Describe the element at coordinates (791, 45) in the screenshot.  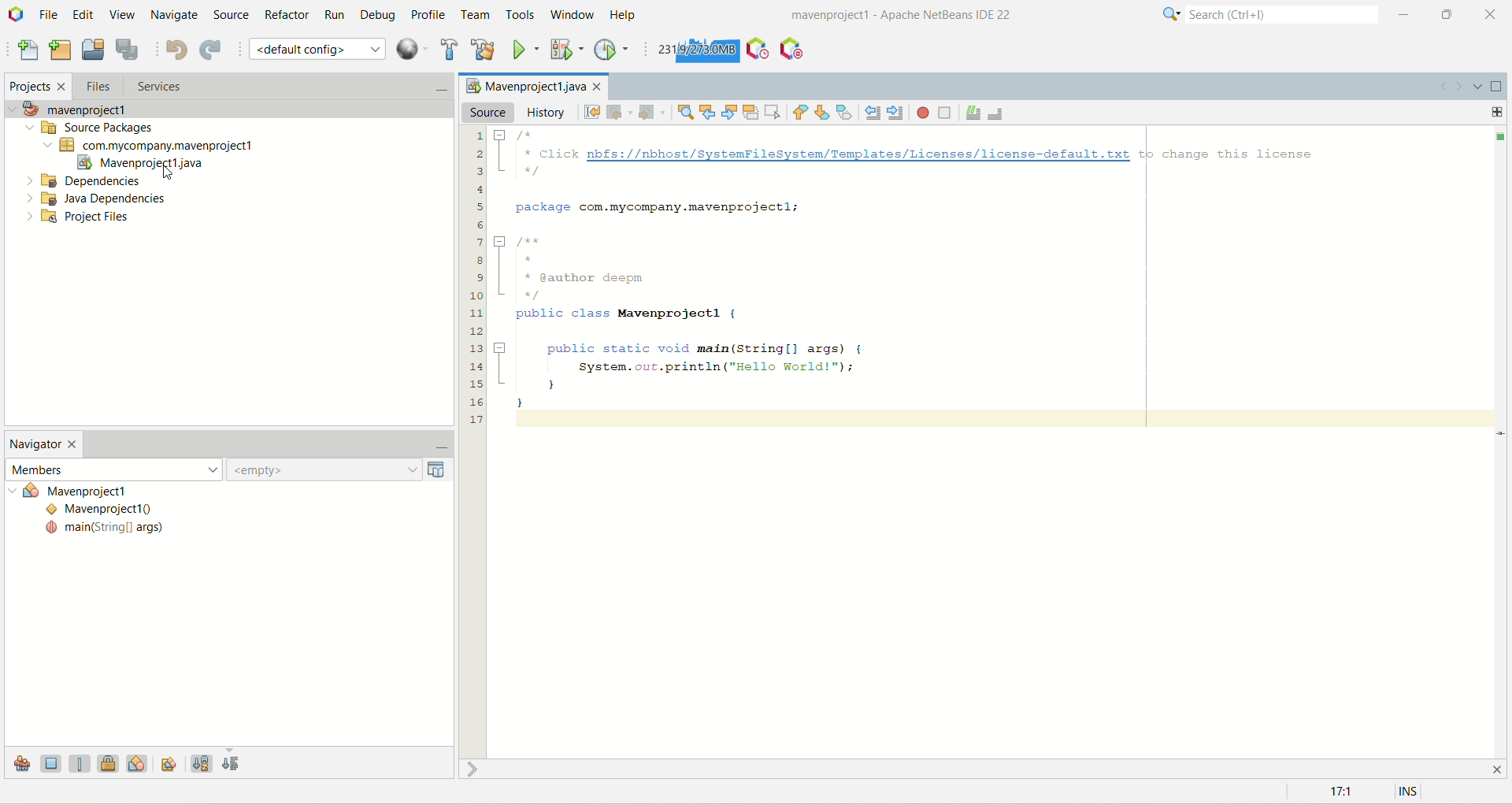
I see `pause` at that location.